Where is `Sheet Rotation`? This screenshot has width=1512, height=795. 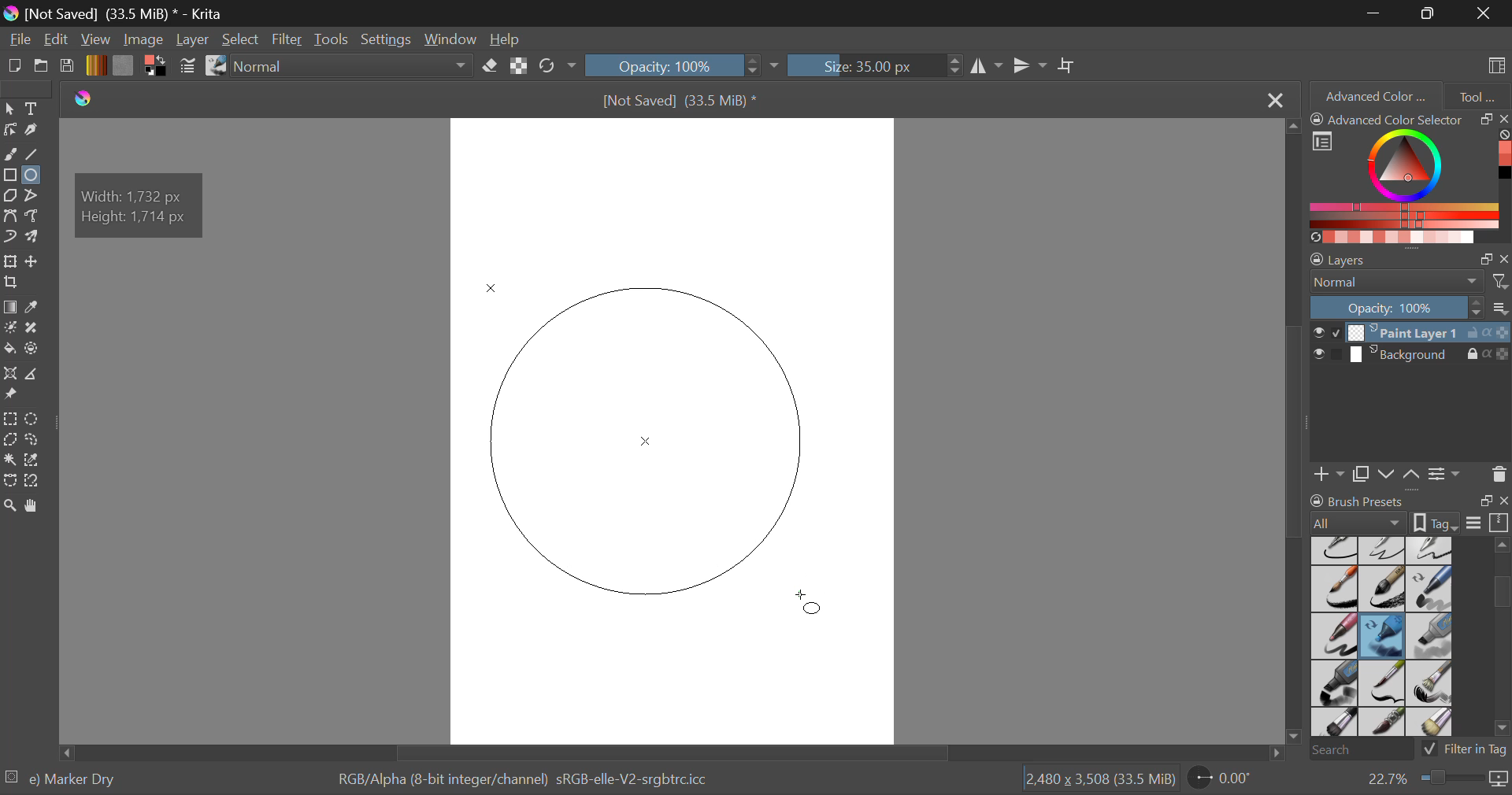
Sheet Rotation is located at coordinates (1228, 778).